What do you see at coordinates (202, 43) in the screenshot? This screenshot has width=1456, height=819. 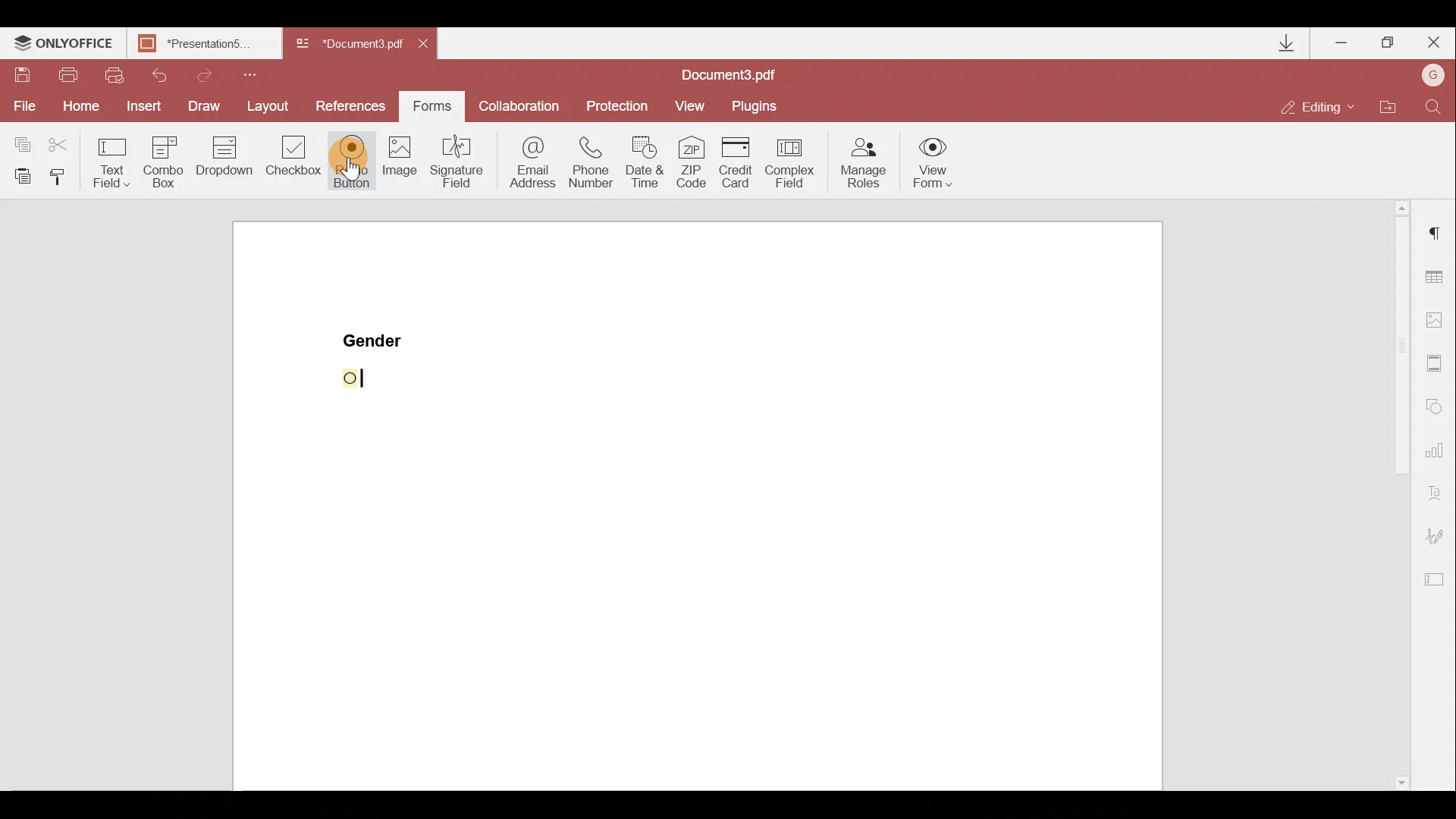 I see `Document name` at bounding box center [202, 43].